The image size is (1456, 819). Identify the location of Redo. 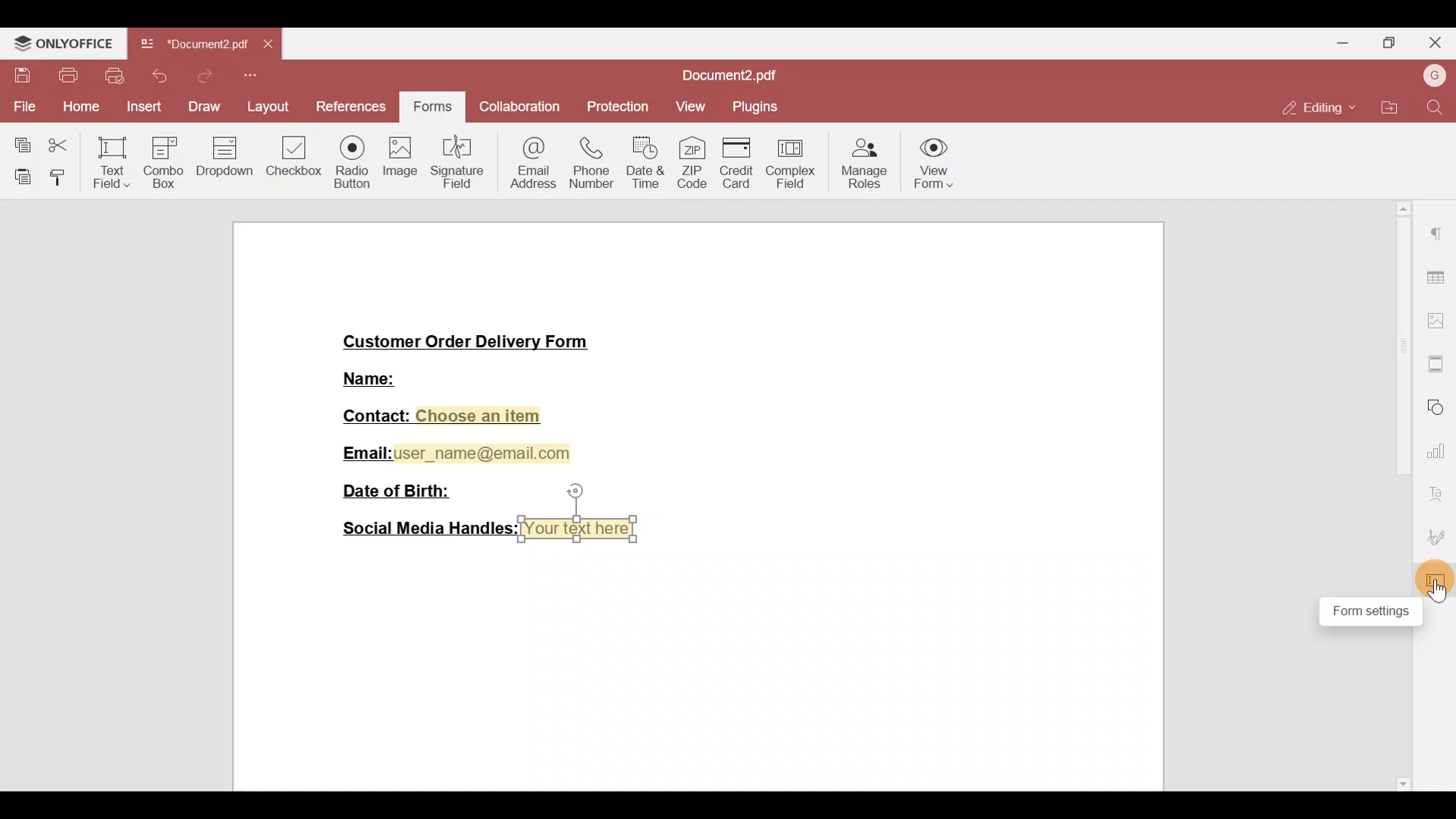
(202, 76).